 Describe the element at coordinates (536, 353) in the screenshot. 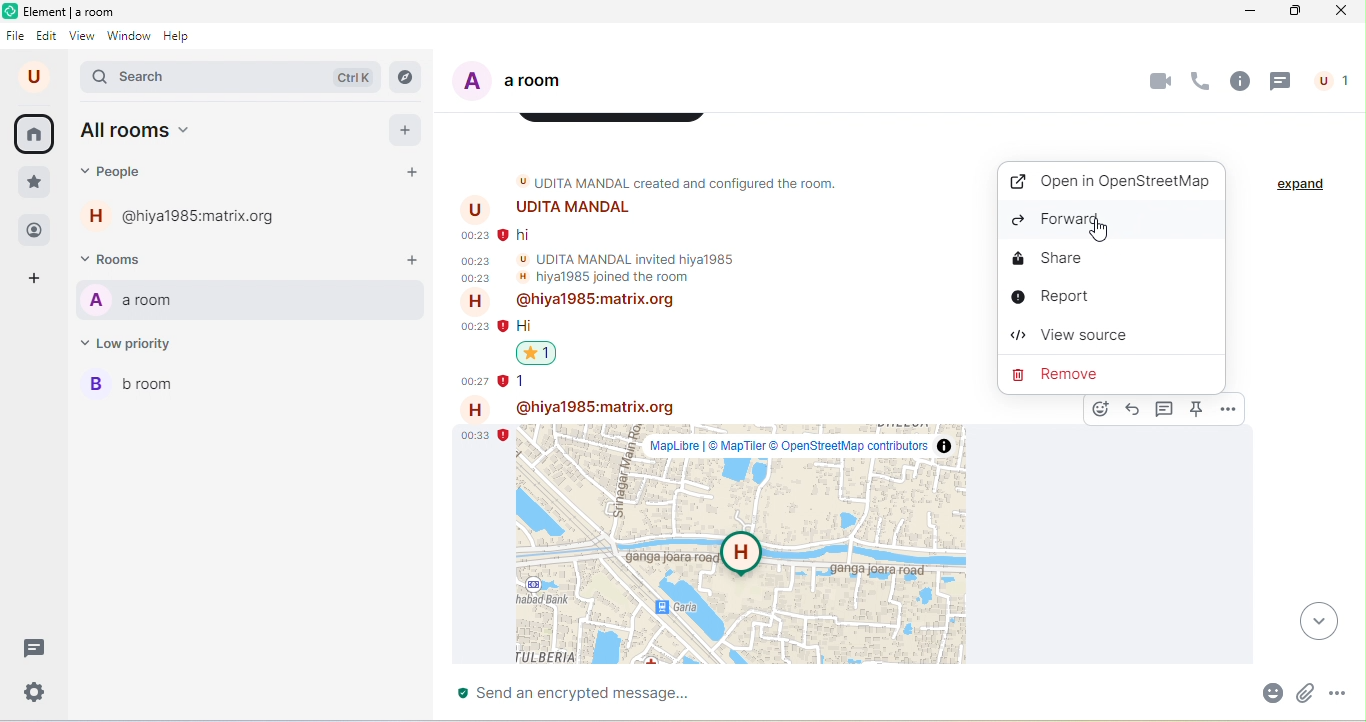

I see `reaction to the text` at that location.